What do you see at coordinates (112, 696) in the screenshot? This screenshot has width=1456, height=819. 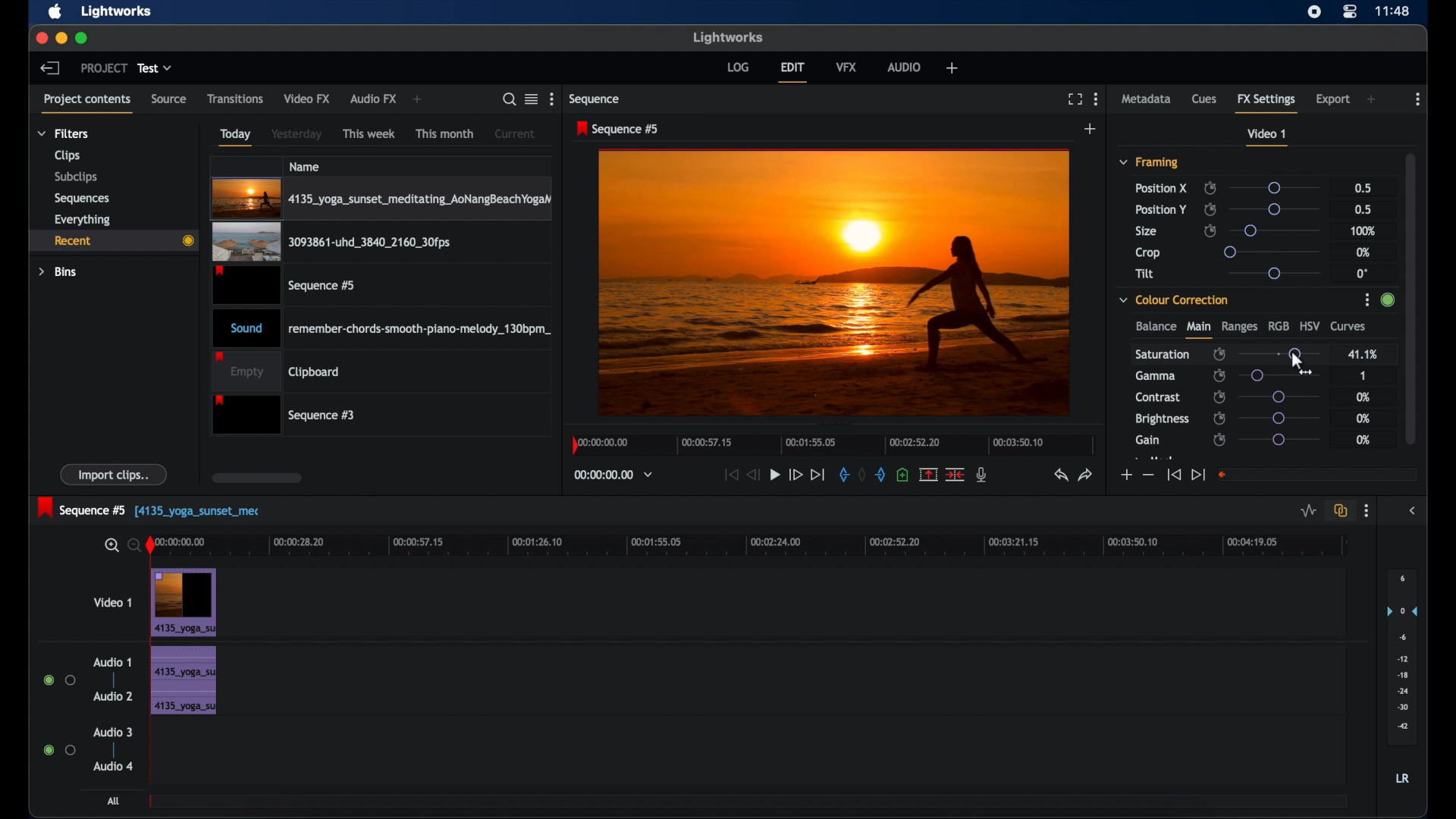 I see `audio 2` at bounding box center [112, 696].